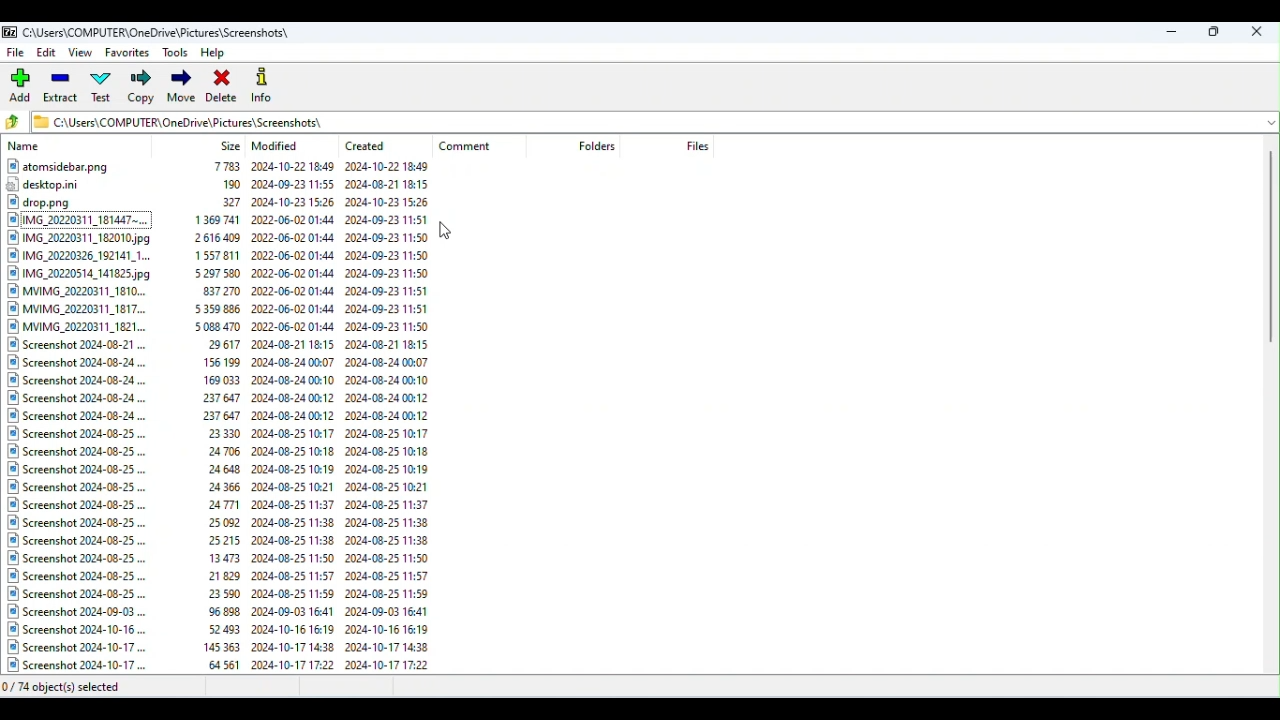  I want to click on Cursor, so click(449, 237).